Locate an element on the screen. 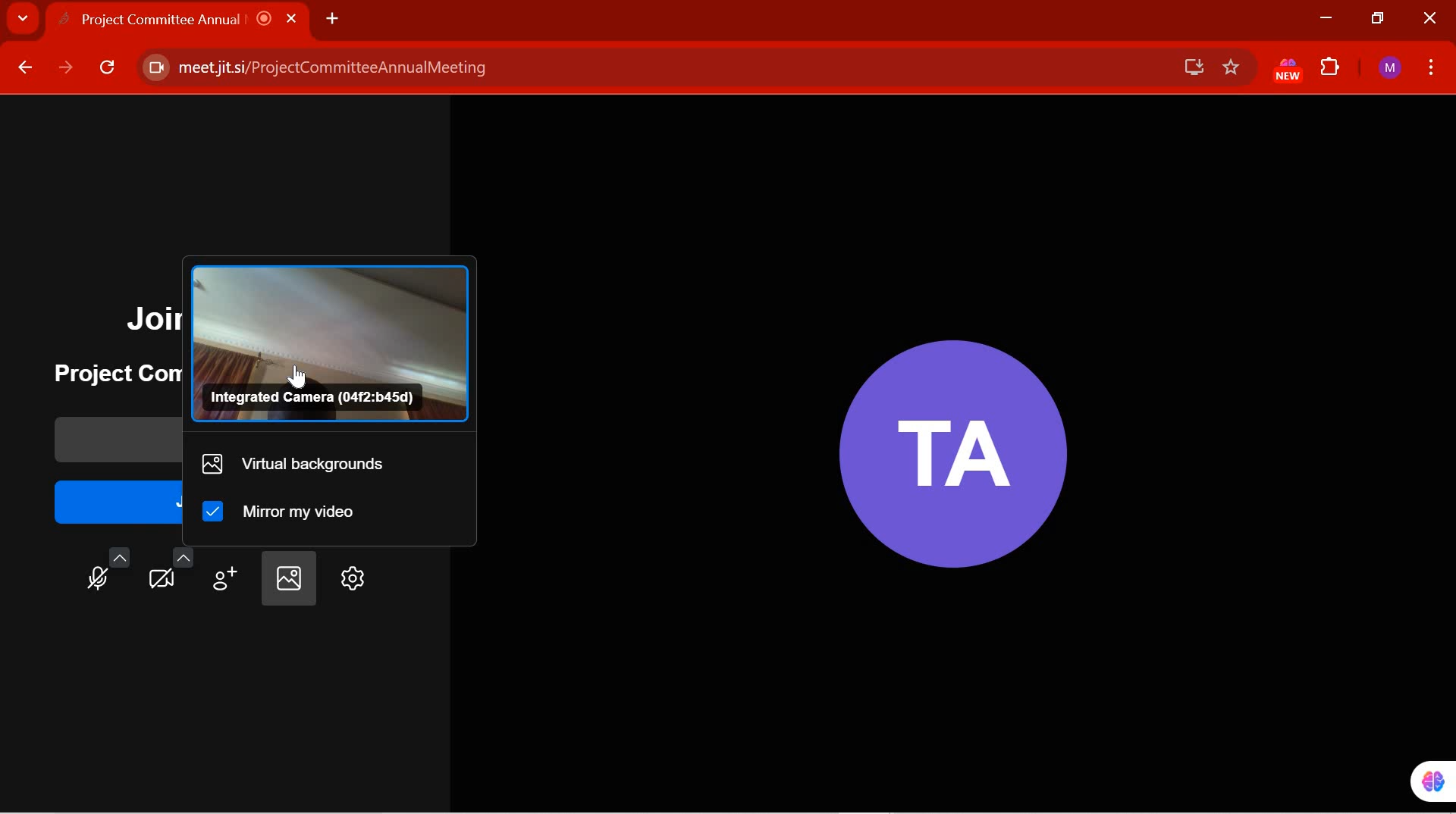  EXTENSION PINNED is located at coordinates (1283, 70).